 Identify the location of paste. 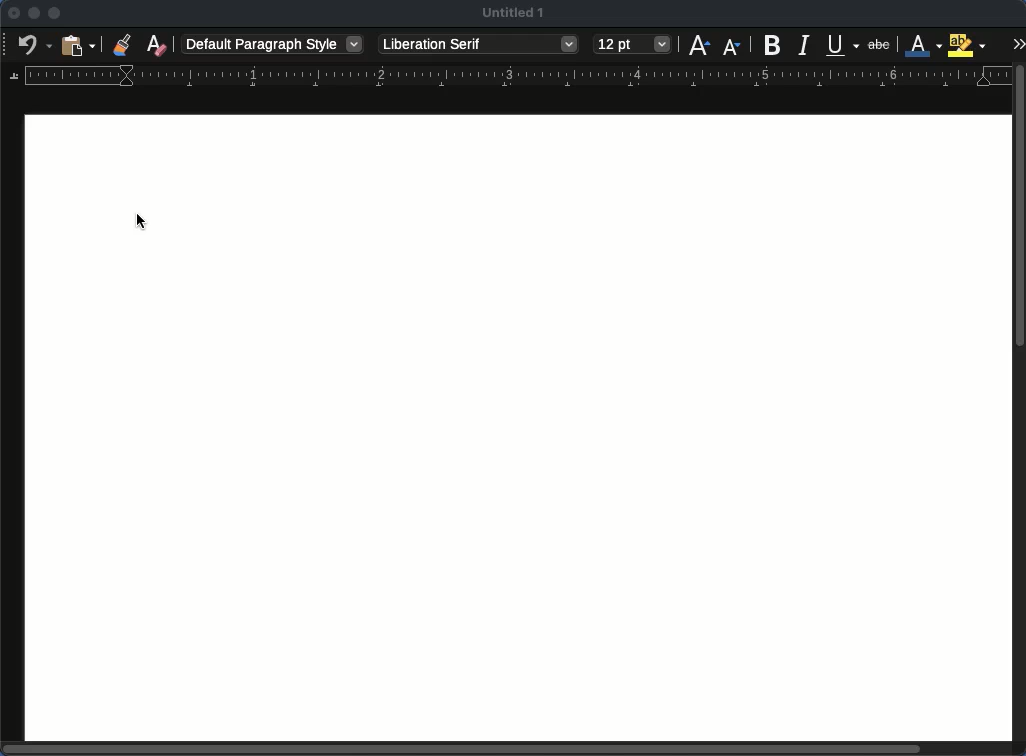
(78, 44).